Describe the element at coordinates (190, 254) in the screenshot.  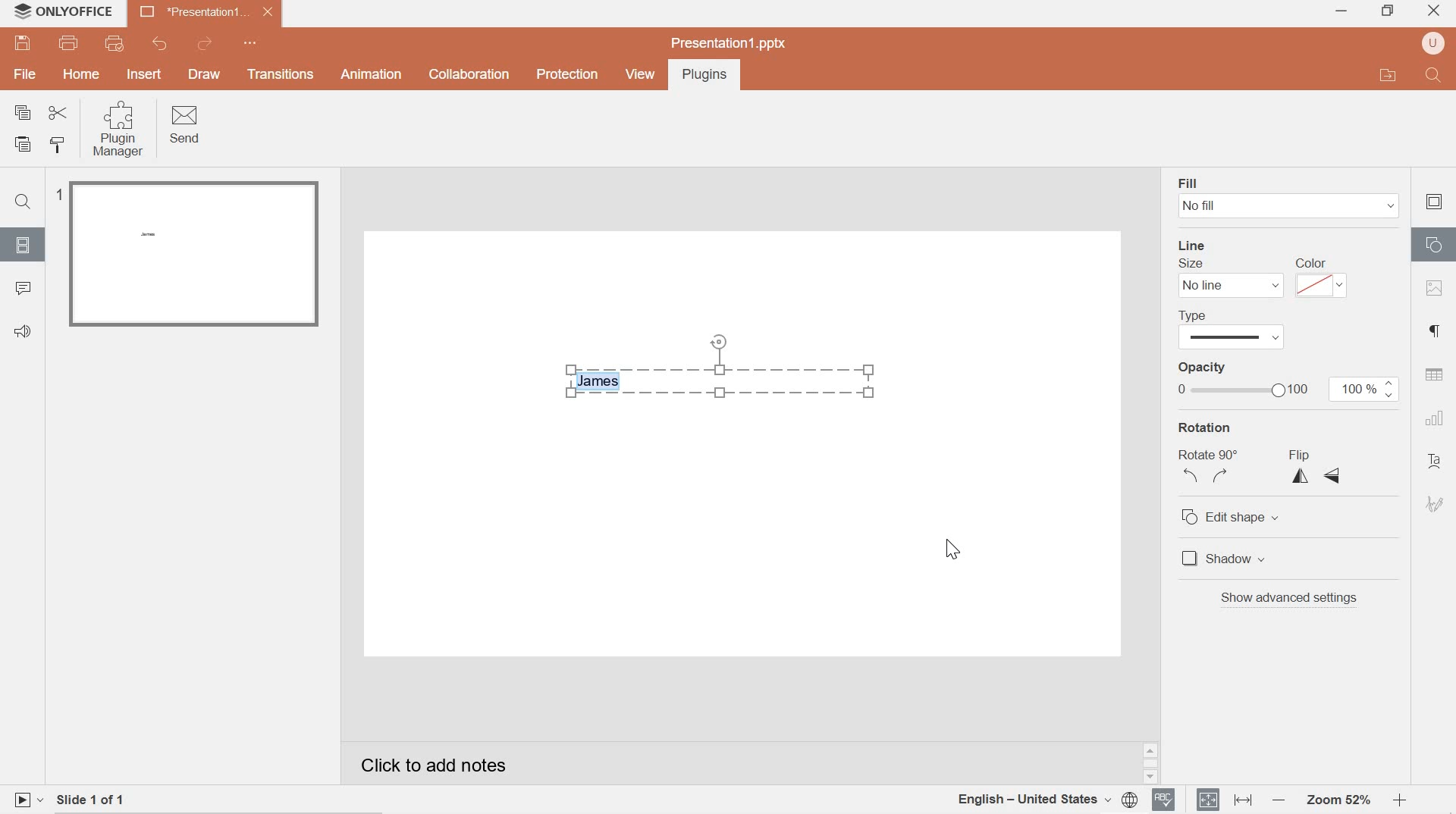
I see `slide 1` at that location.